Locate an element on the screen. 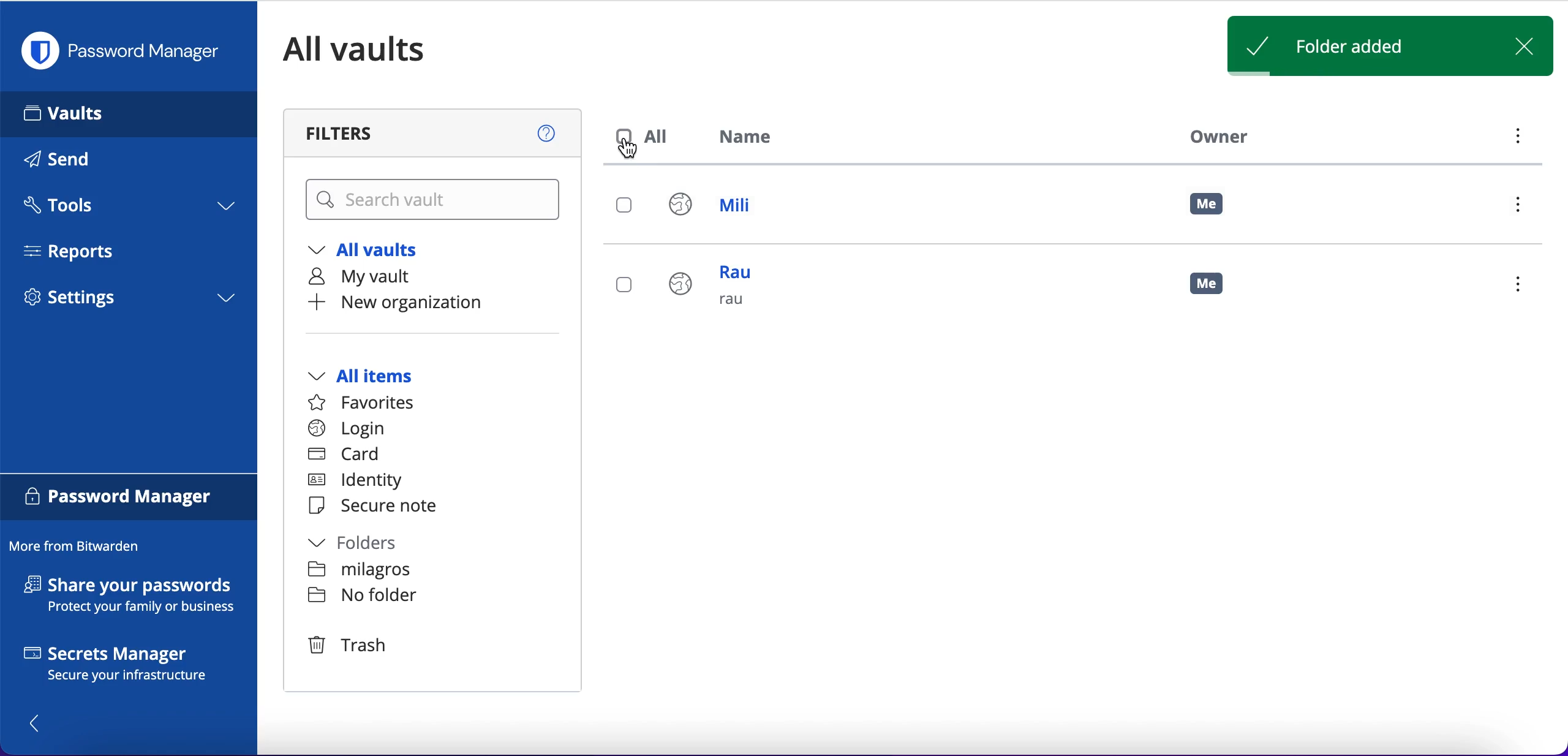 Image resolution: width=1568 pixels, height=756 pixels. menu is located at coordinates (1516, 139).